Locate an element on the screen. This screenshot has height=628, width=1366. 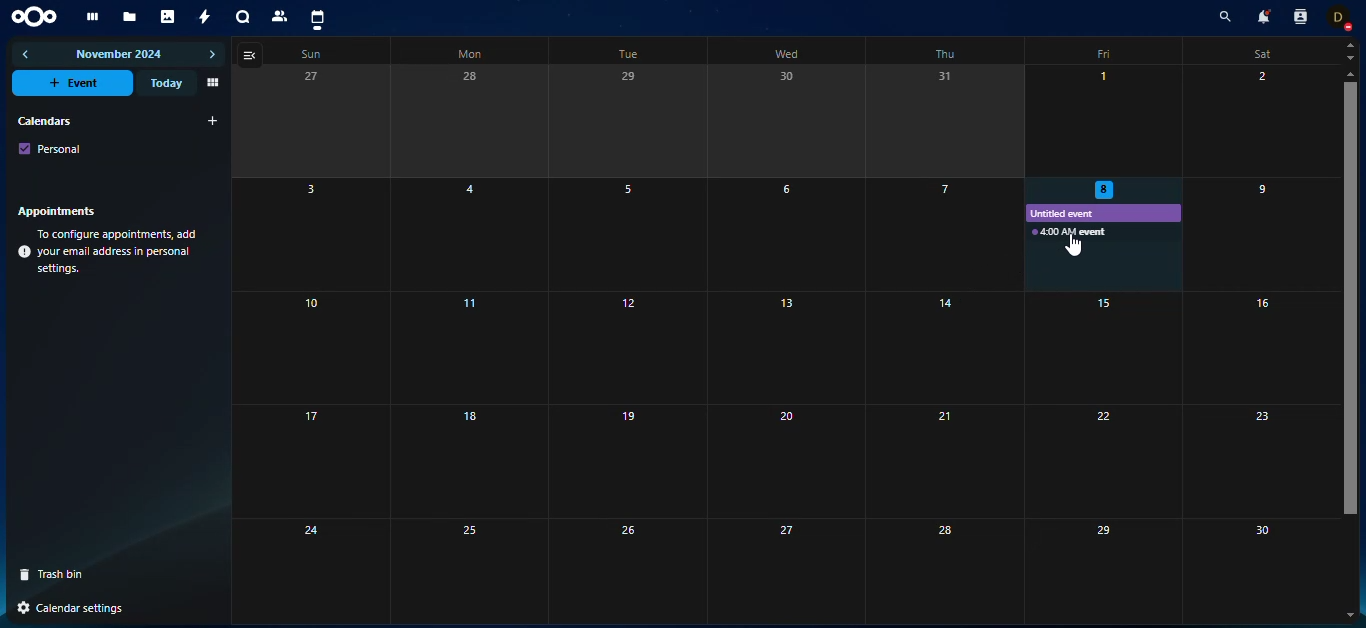
down is located at coordinates (1353, 613).